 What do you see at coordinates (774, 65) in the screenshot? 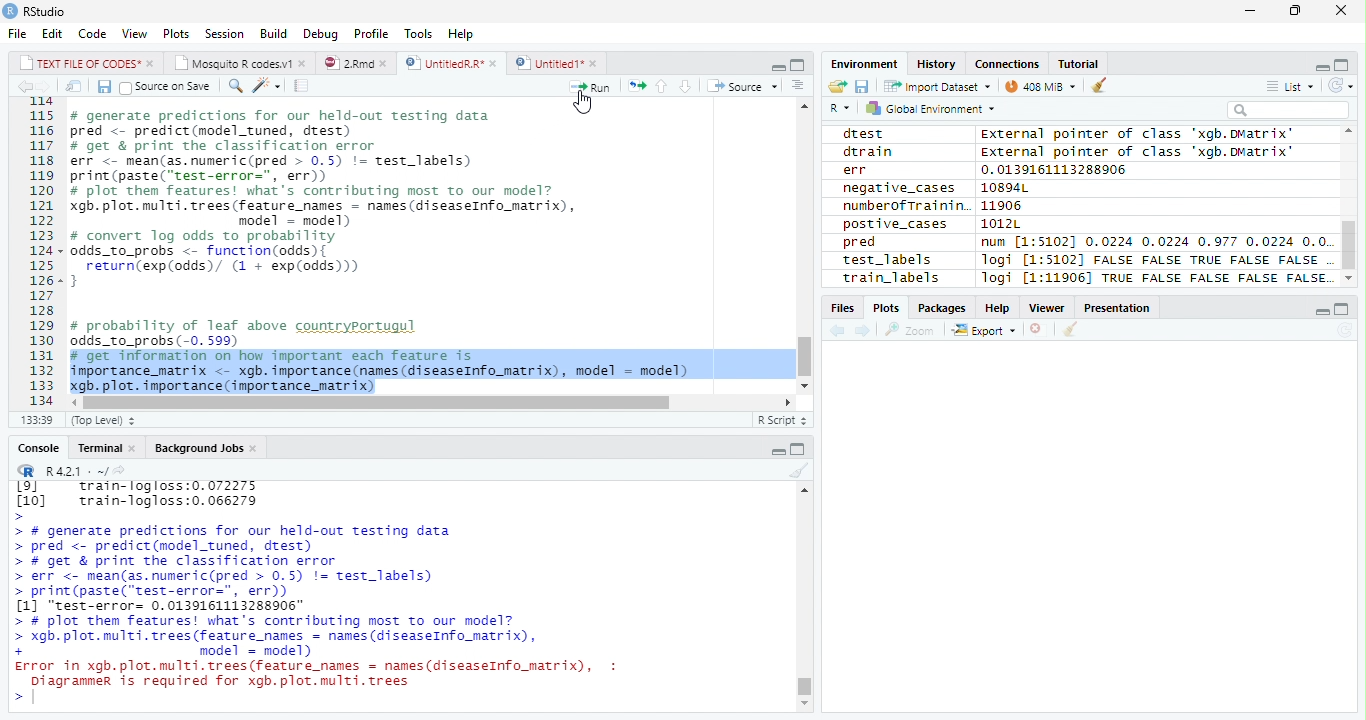
I see `Minimize` at bounding box center [774, 65].